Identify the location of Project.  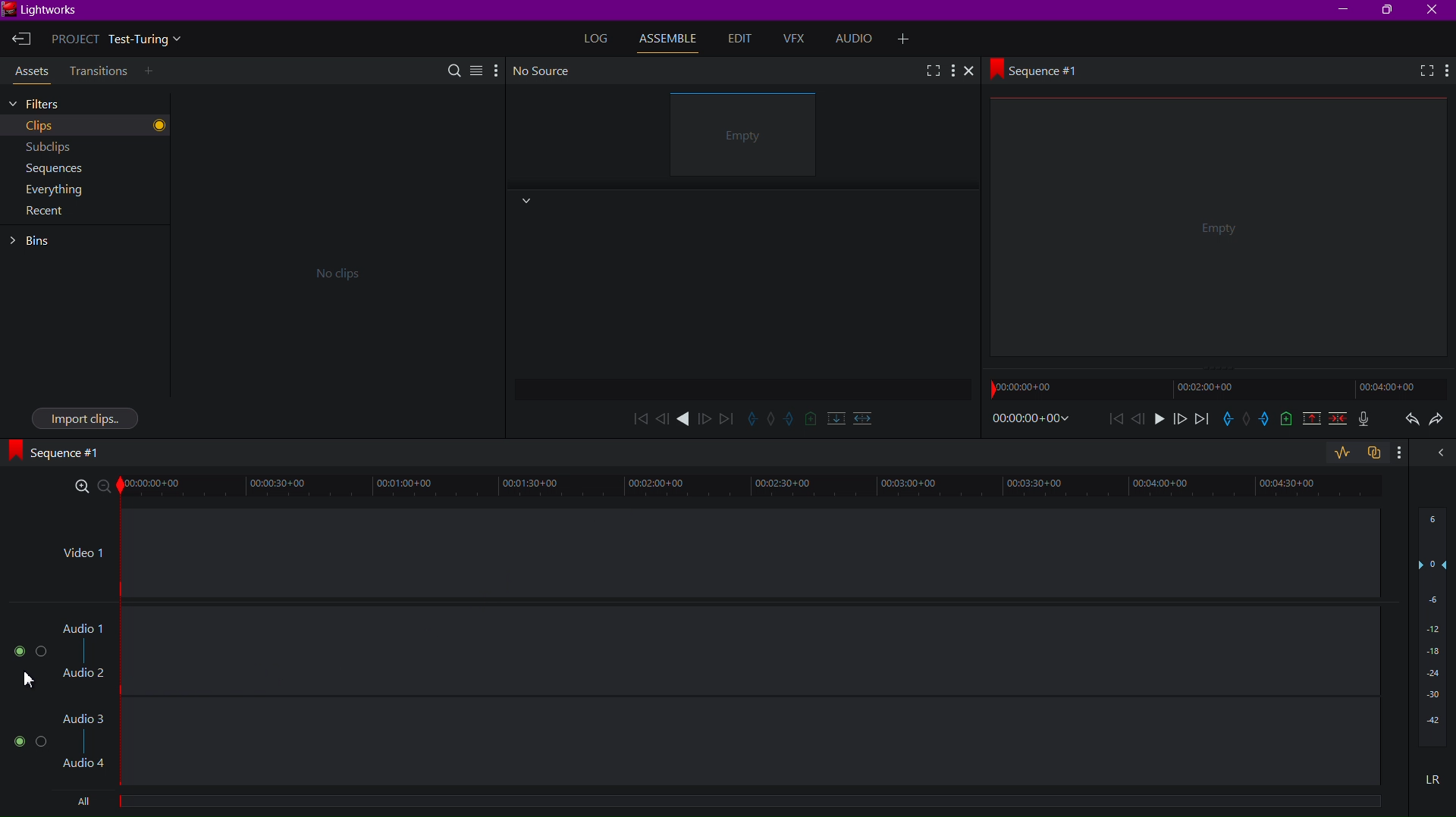
(121, 41).